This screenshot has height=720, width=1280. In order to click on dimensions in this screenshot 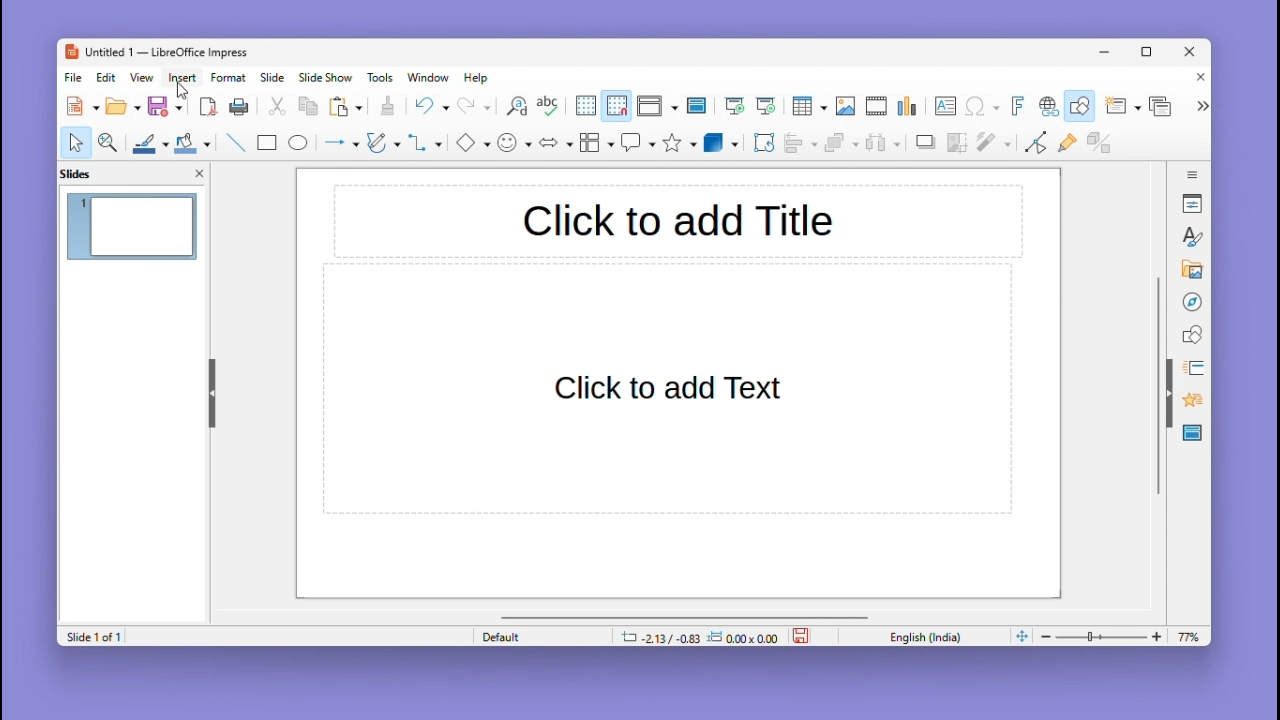, I will do `click(699, 636)`.